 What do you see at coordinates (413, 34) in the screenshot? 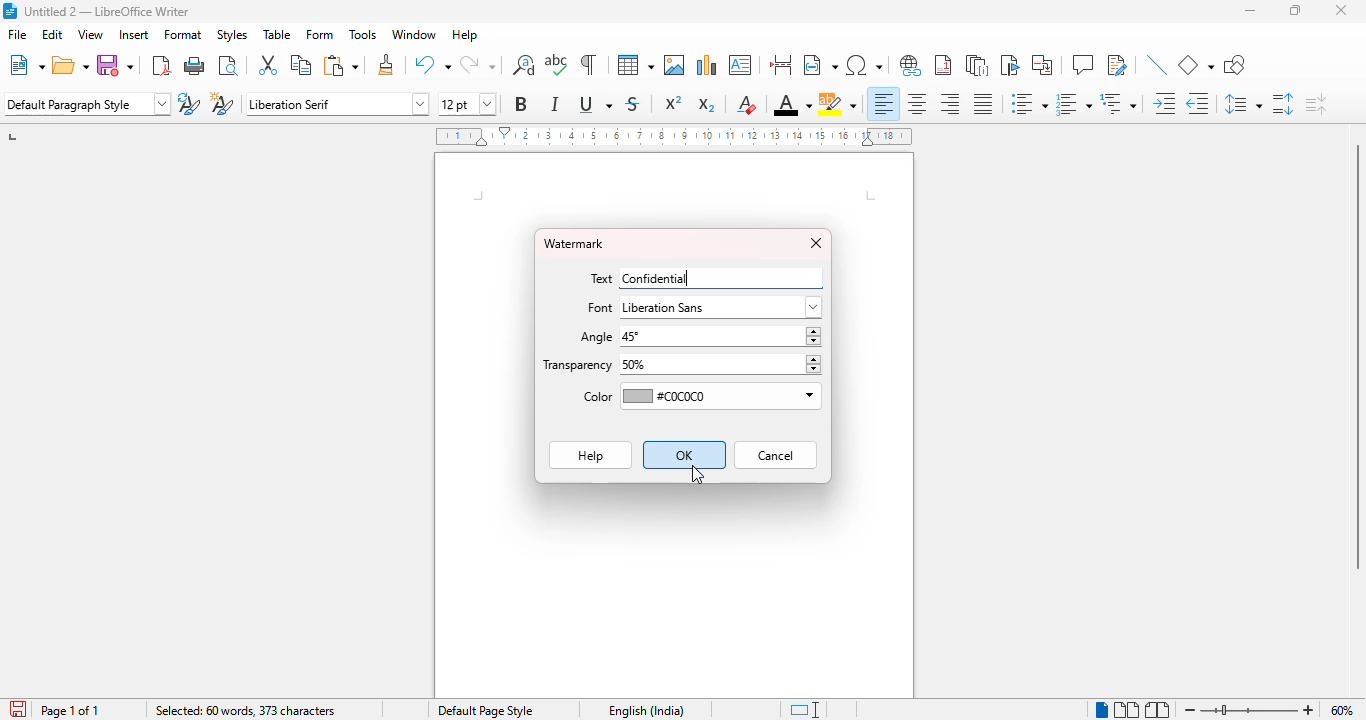
I see `window` at bounding box center [413, 34].